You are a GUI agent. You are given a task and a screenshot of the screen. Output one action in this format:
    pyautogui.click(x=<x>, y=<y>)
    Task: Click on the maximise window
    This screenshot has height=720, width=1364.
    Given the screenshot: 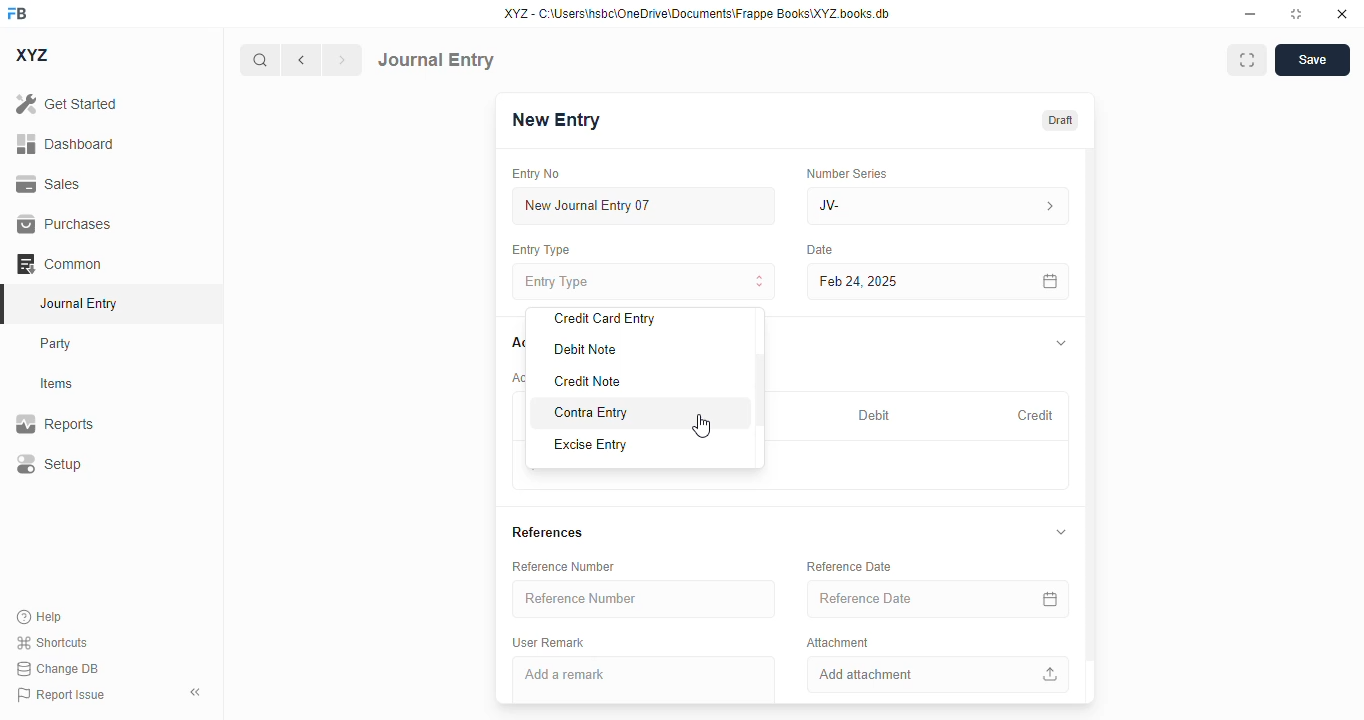 What is the action you would take?
    pyautogui.click(x=1247, y=60)
    